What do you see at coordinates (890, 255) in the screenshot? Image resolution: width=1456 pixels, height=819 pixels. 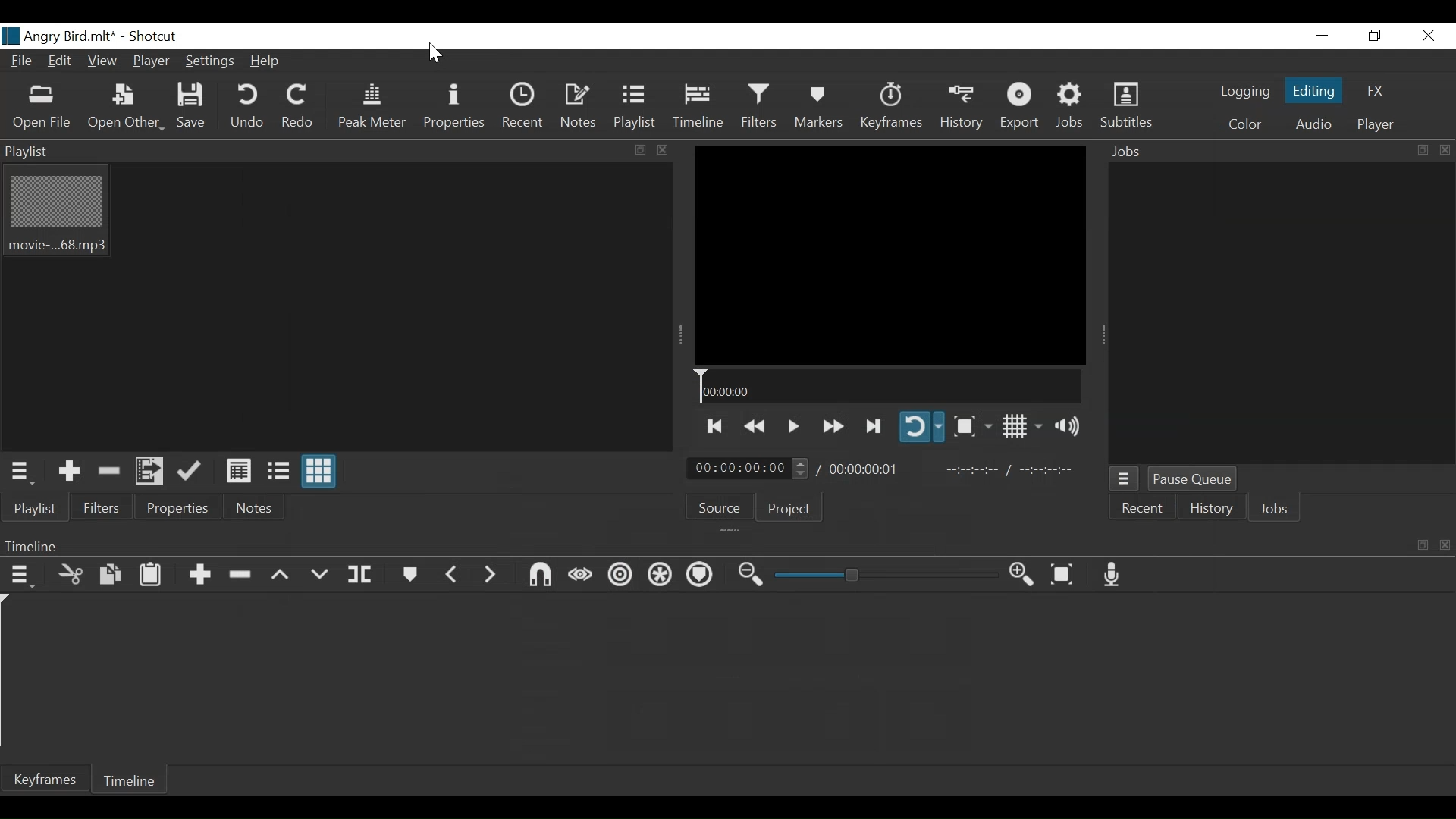 I see `Media Viewer` at bounding box center [890, 255].